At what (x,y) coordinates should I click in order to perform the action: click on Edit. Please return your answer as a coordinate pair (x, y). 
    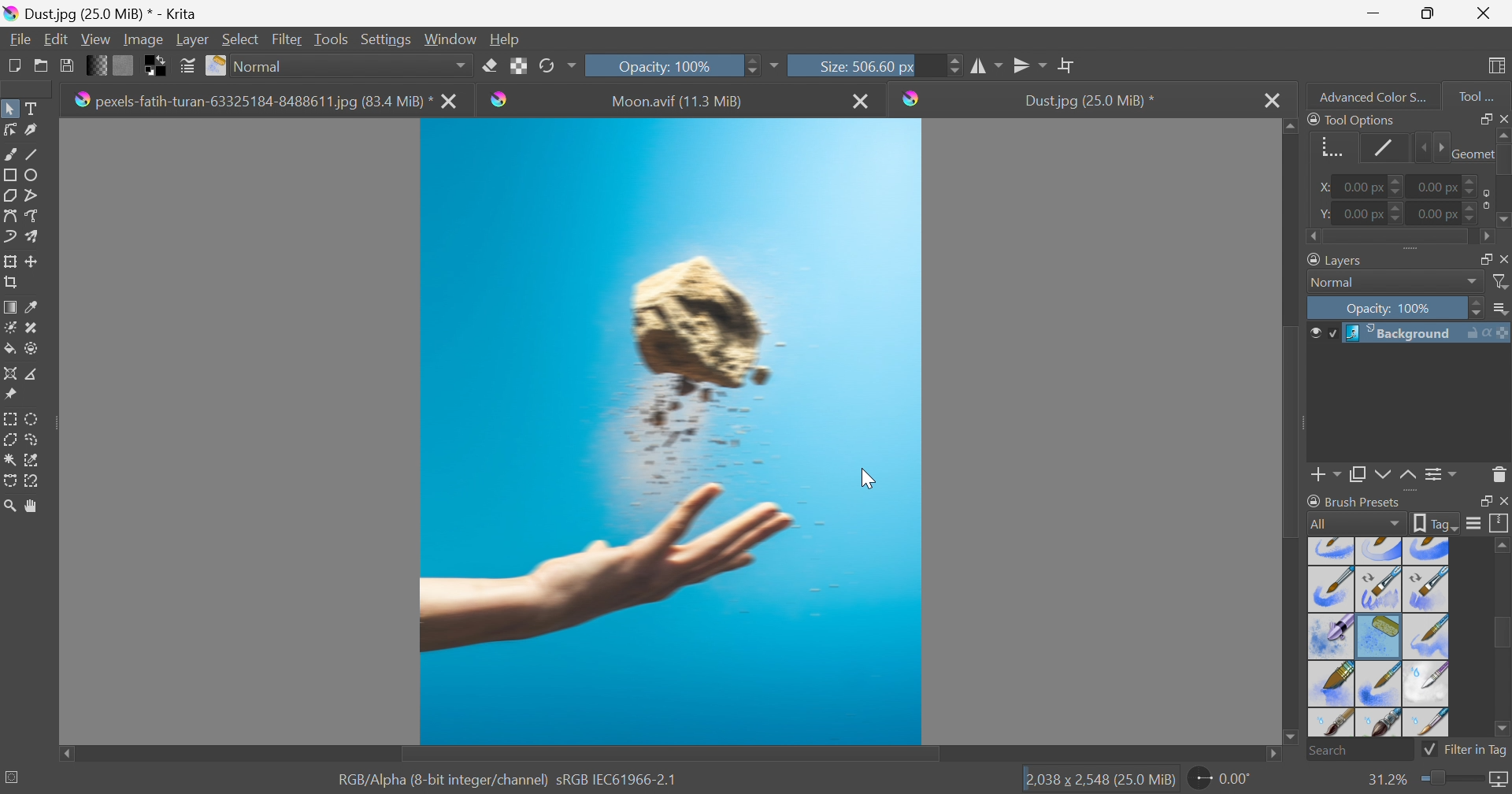
    Looking at the image, I should click on (55, 39).